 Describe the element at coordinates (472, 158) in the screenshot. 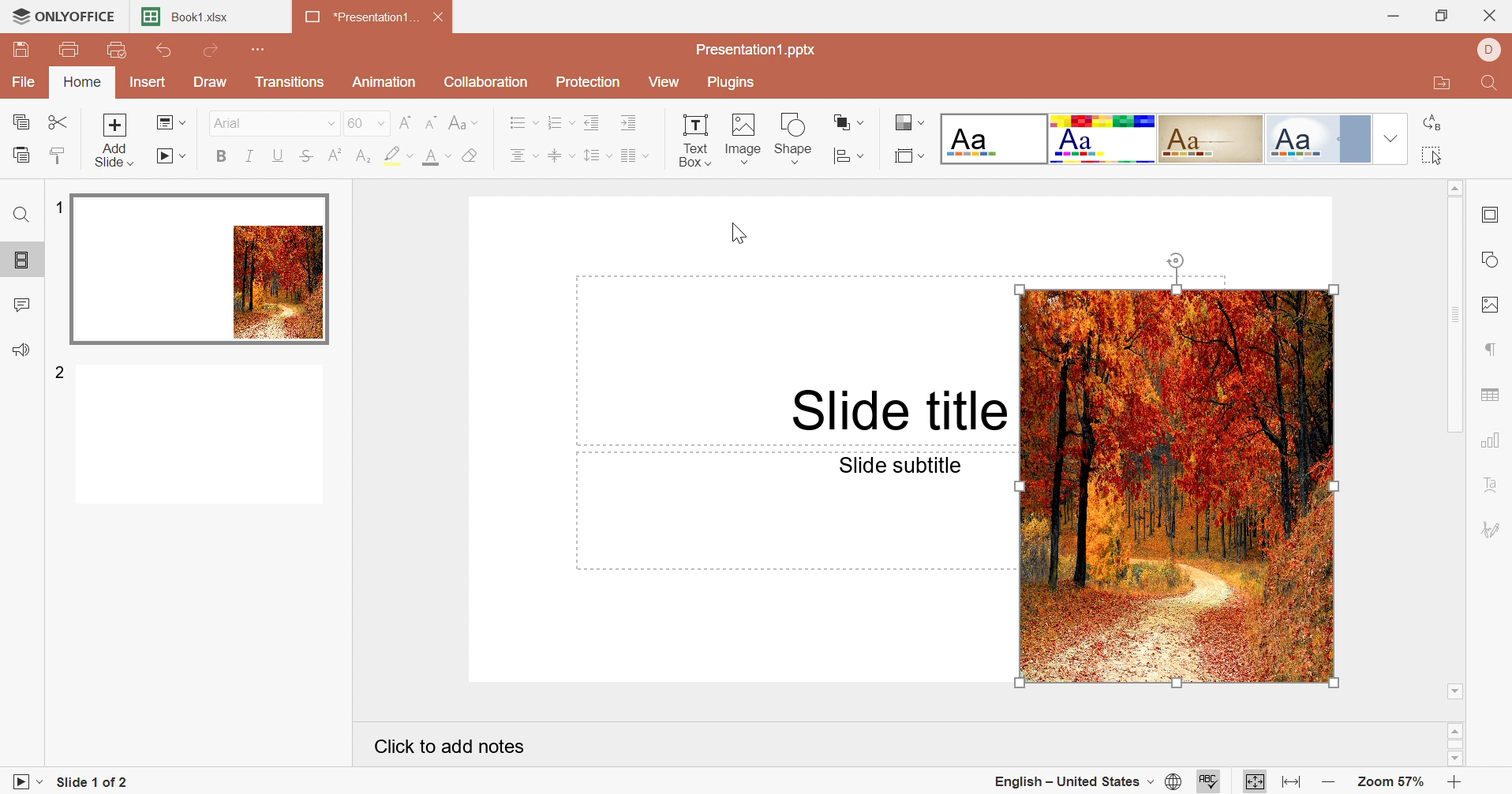

I see `Clear` at that location.